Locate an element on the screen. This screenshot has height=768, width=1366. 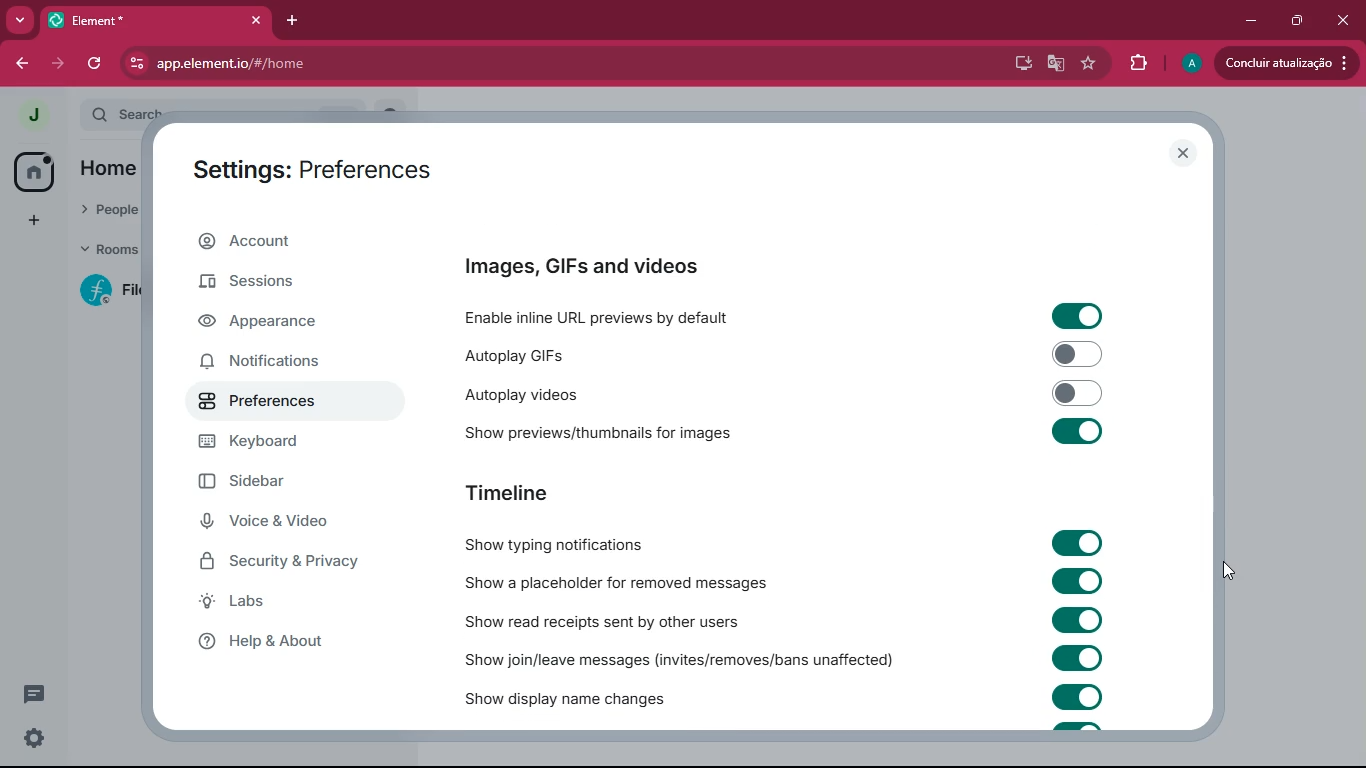
preferences is located at coordinates (277, 402).